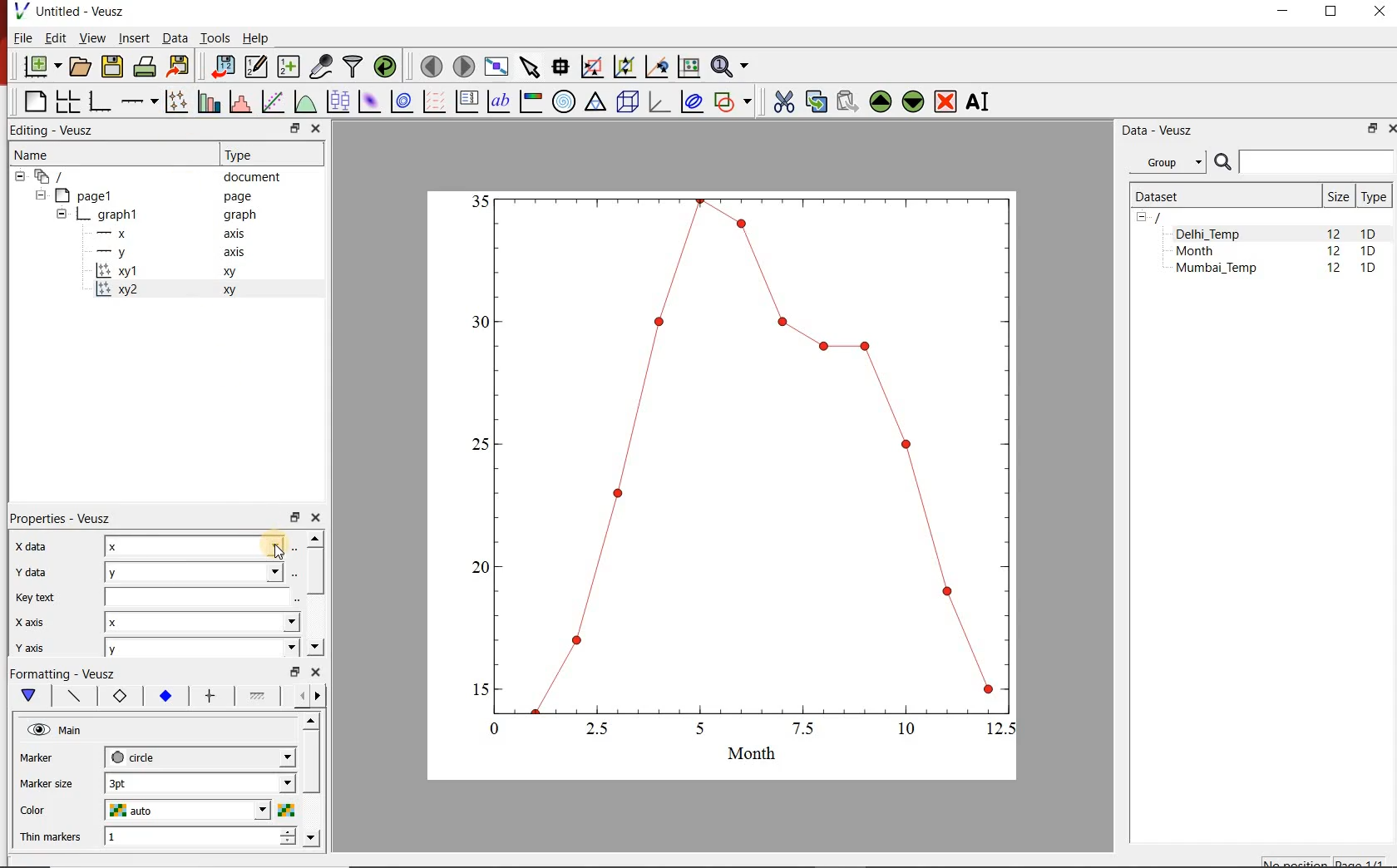  Describe the element at coordinates (239, 101) in the screenshot. I see `histogram of a dataset` at that location.